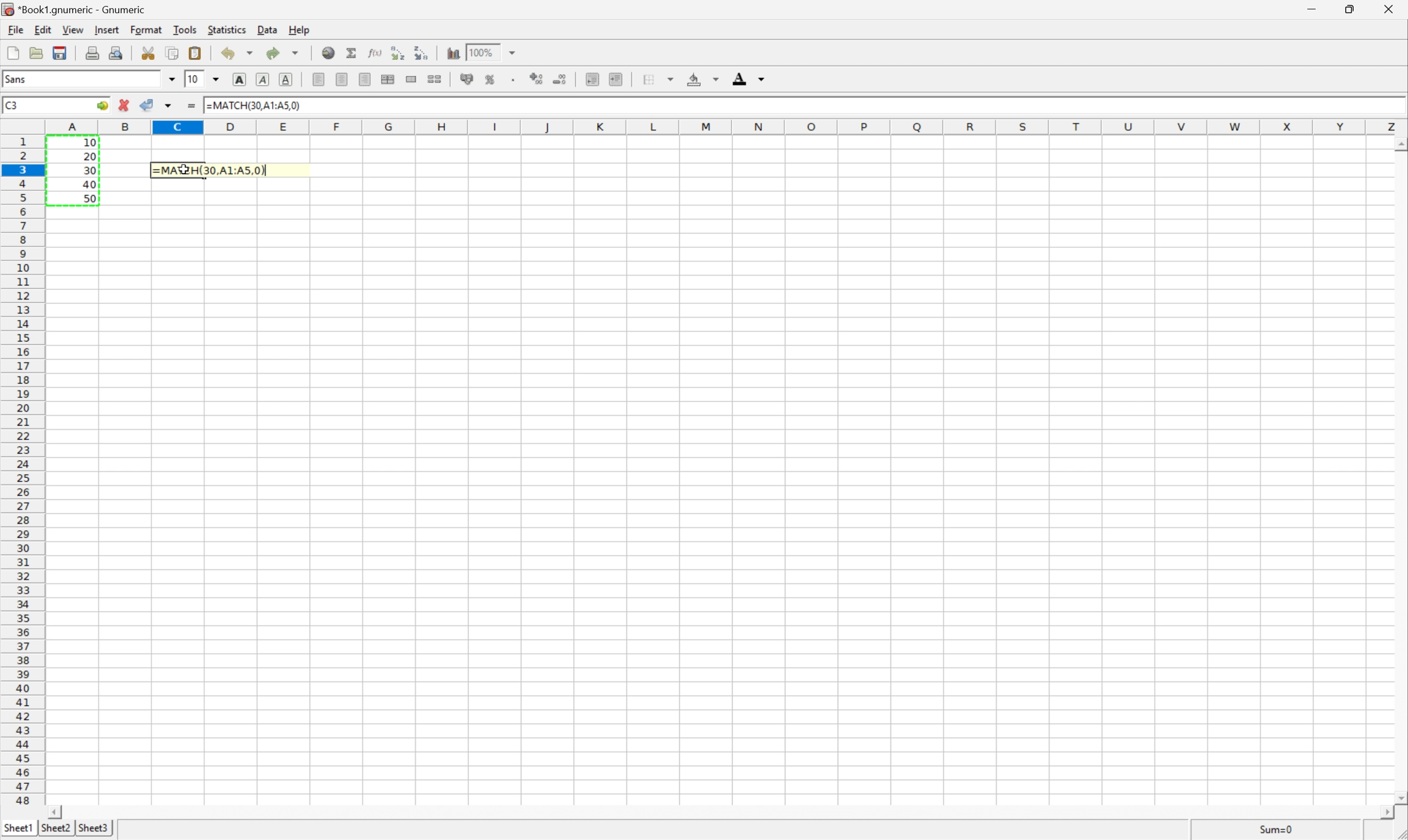 Image resolution: width=1408 pixels, height=840 pixels. Describe the element at coordinates (90, 170) in the screenshot. I see `30` at that location.